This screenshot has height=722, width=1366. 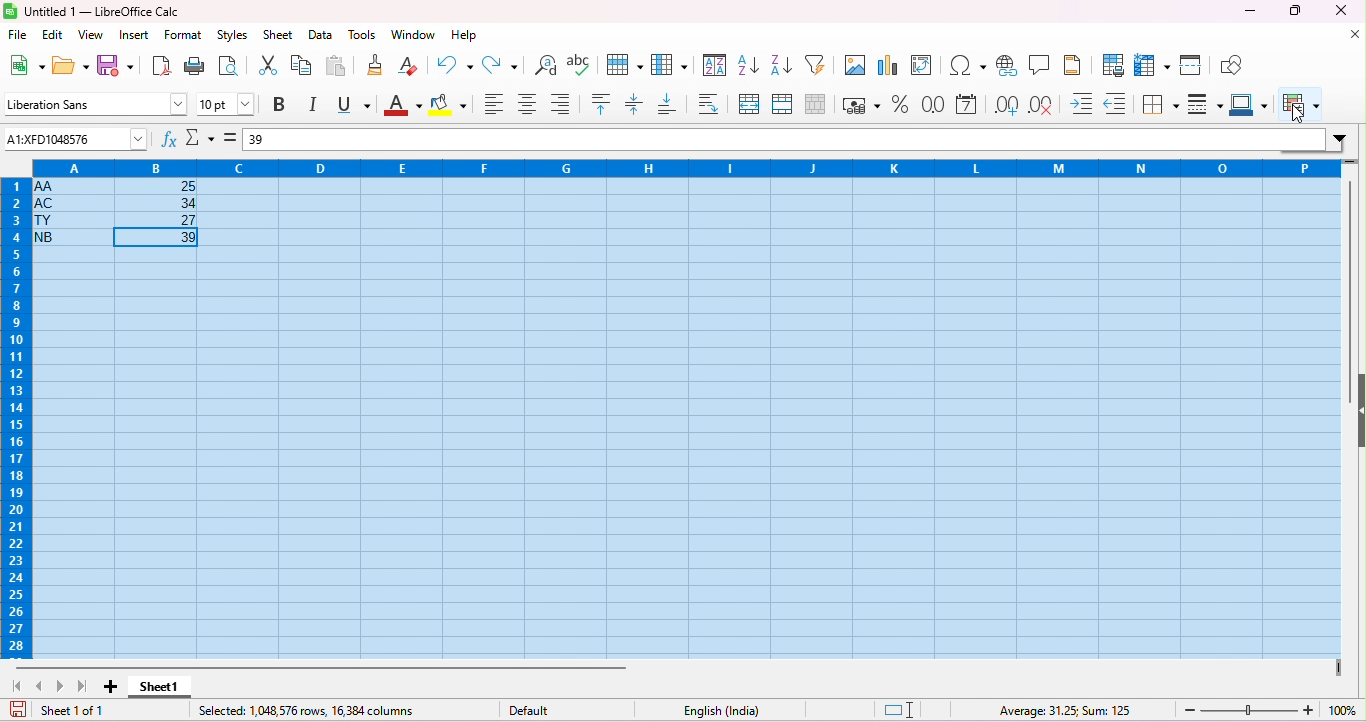 What do you see at coordinates (1193, 64) in the screenshot?
I see `split ` at bounding box center [1193, 64].